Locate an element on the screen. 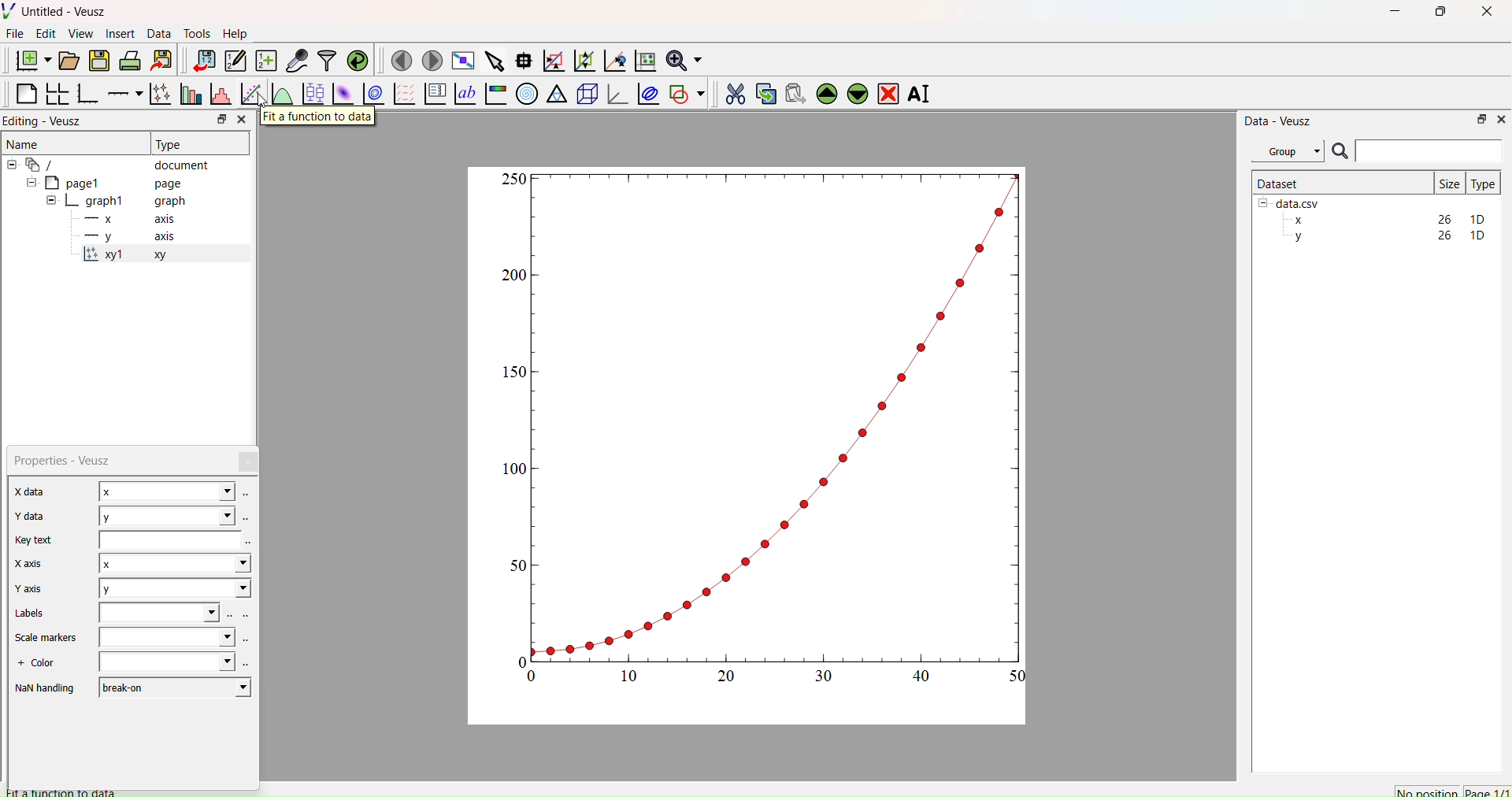 Image resolution: width=1512 pixels, height=797 pixels. Remove is located at coordinates (888, 92).